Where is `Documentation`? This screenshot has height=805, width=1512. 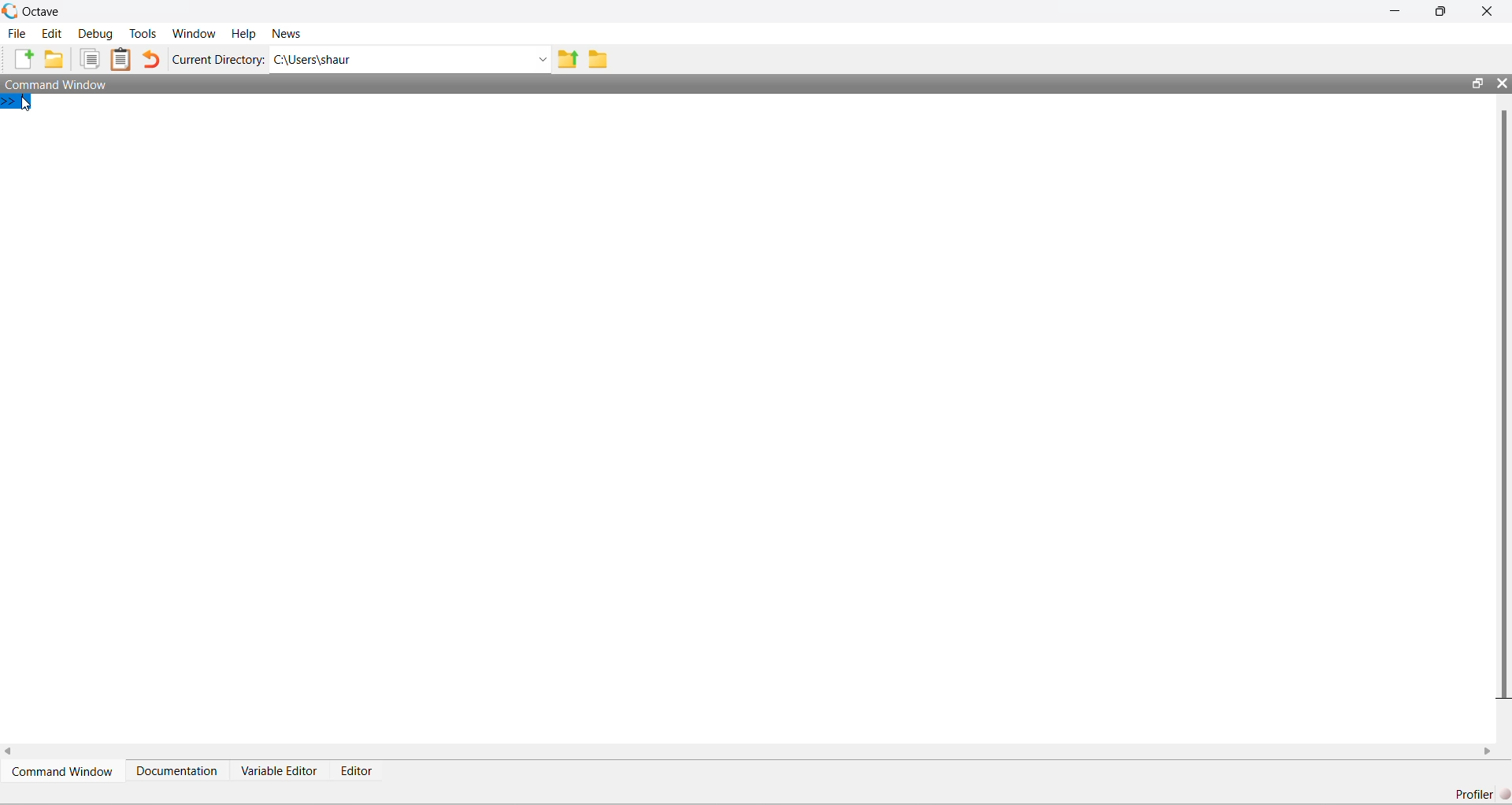 Documentation is located at coordinates (177, 770).